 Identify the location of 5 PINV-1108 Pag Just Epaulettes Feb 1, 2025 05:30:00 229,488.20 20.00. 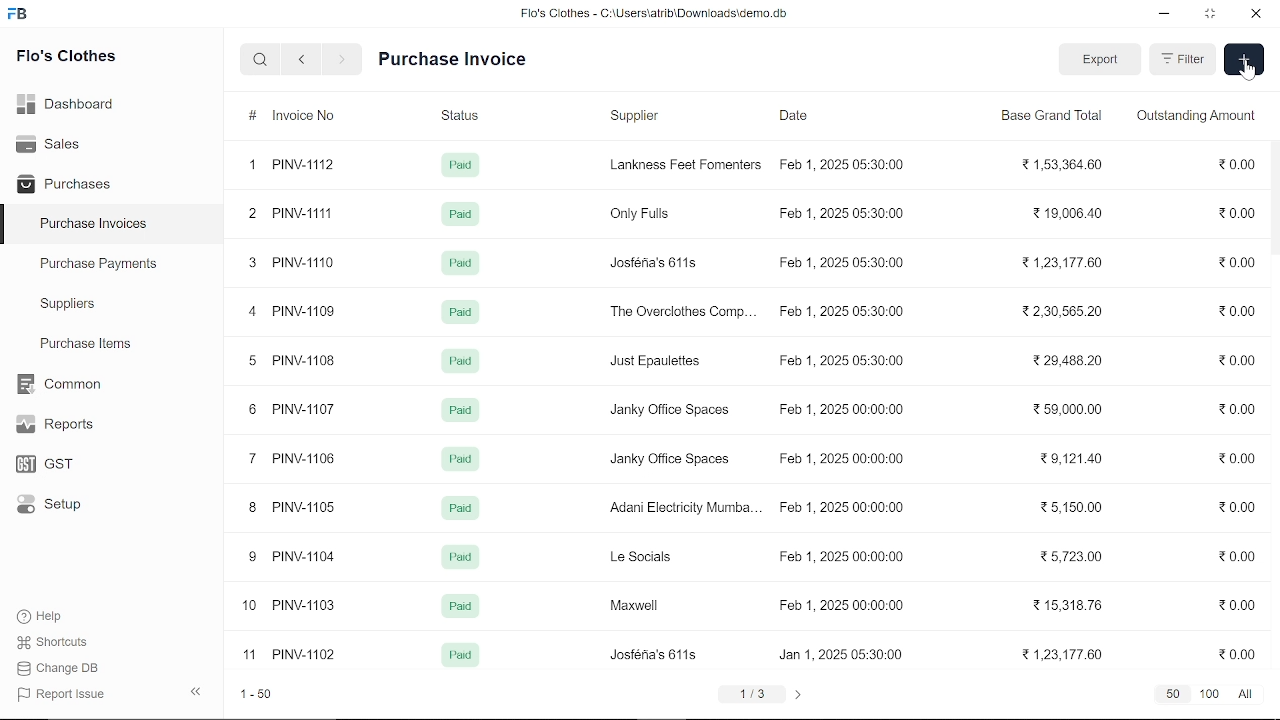
(749, 361).